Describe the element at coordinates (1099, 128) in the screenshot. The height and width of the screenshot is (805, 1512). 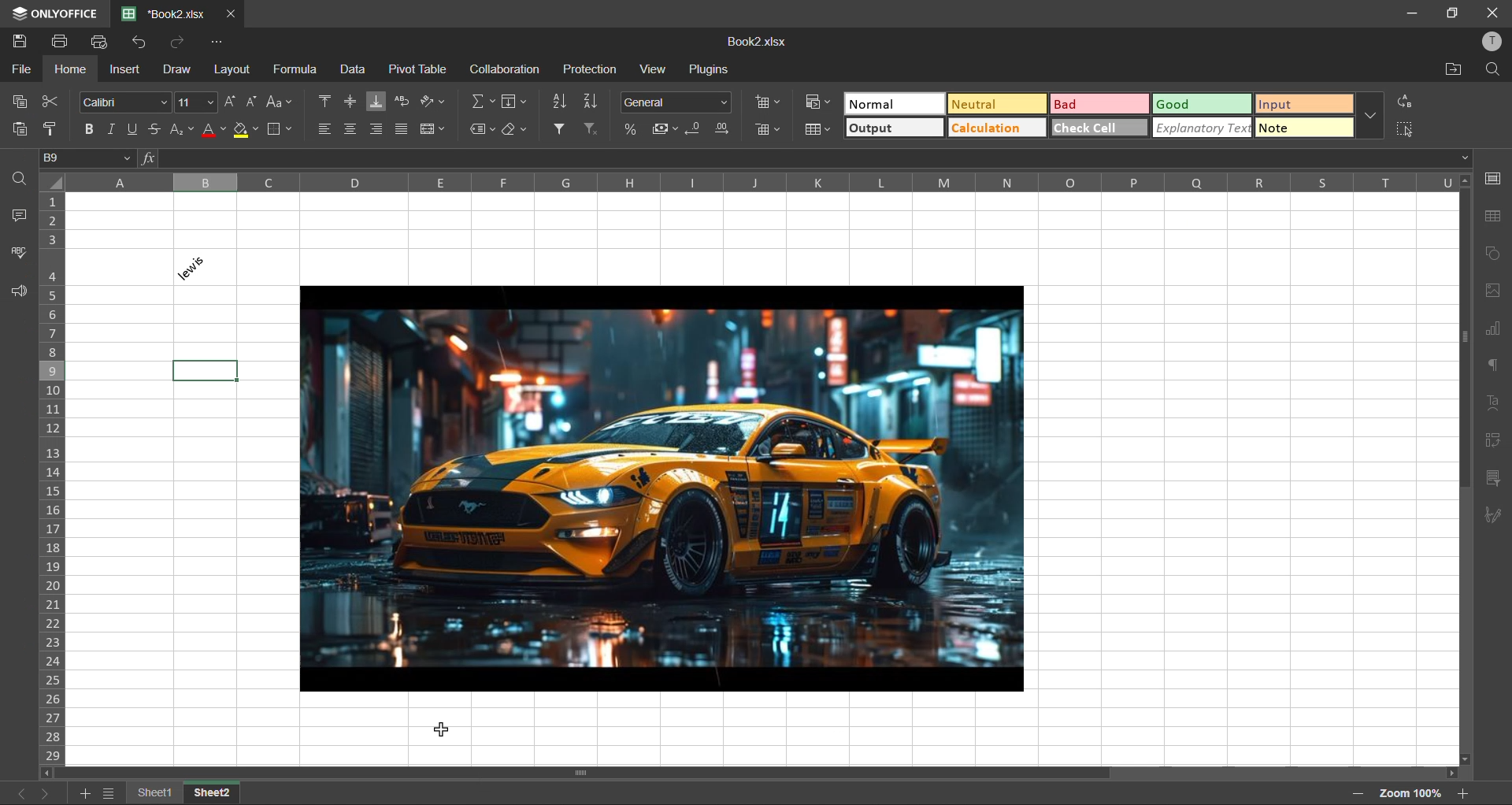
I see `check cell` at that location.